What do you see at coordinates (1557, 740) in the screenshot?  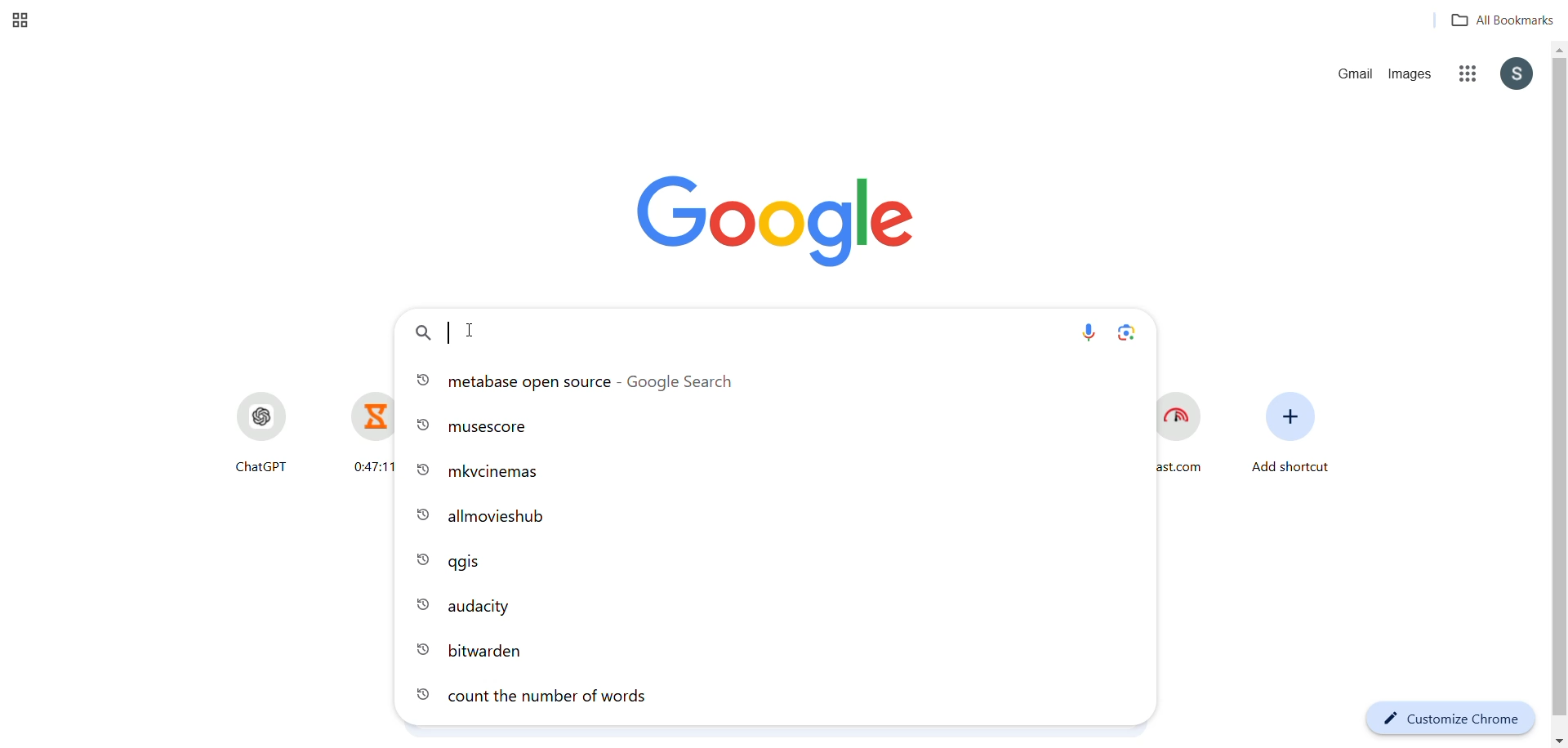 I see `move down` at bounding box center [1557, 740].